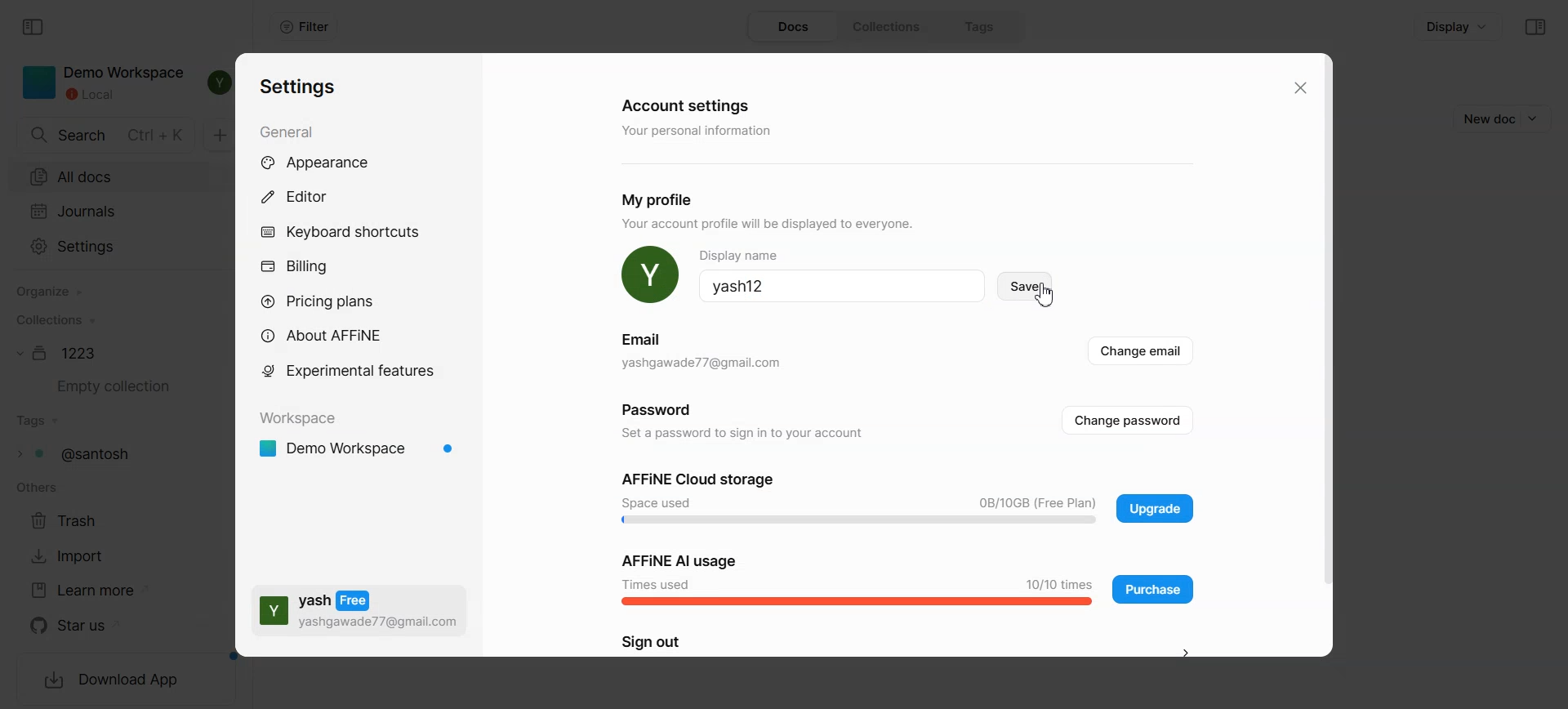 The width and height of the screenshot is (1568, 709). Describe the element at coordinates (48, 292) in the screenshot. I see `Organize` at that location.